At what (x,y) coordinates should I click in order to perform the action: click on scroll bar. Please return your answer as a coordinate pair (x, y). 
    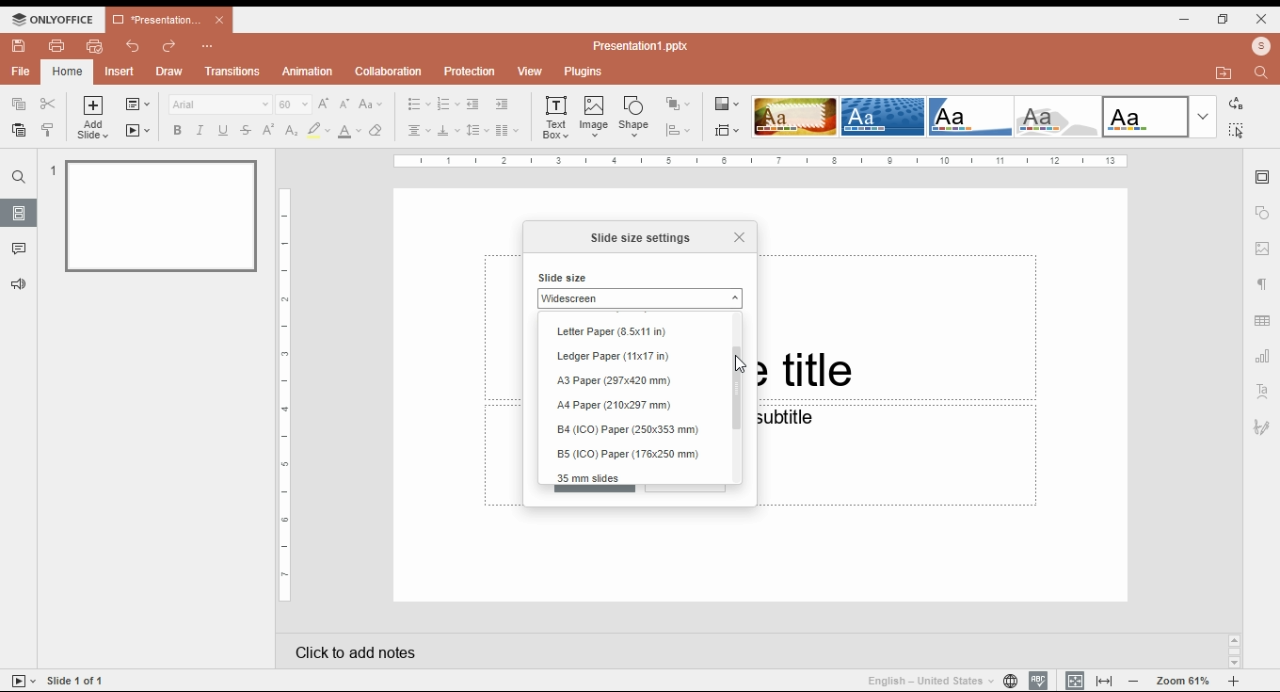
    Looking at the image, I should click on (741, 395).